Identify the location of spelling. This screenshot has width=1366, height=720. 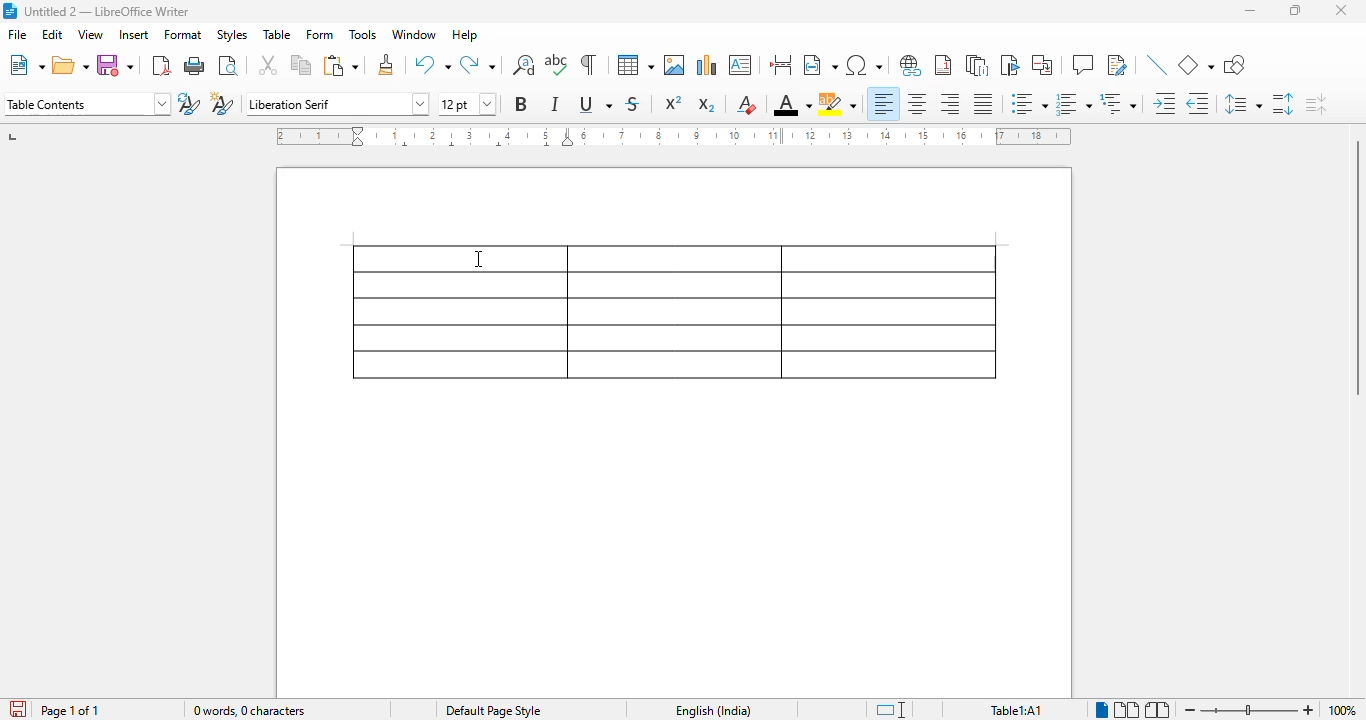
(557, 65).